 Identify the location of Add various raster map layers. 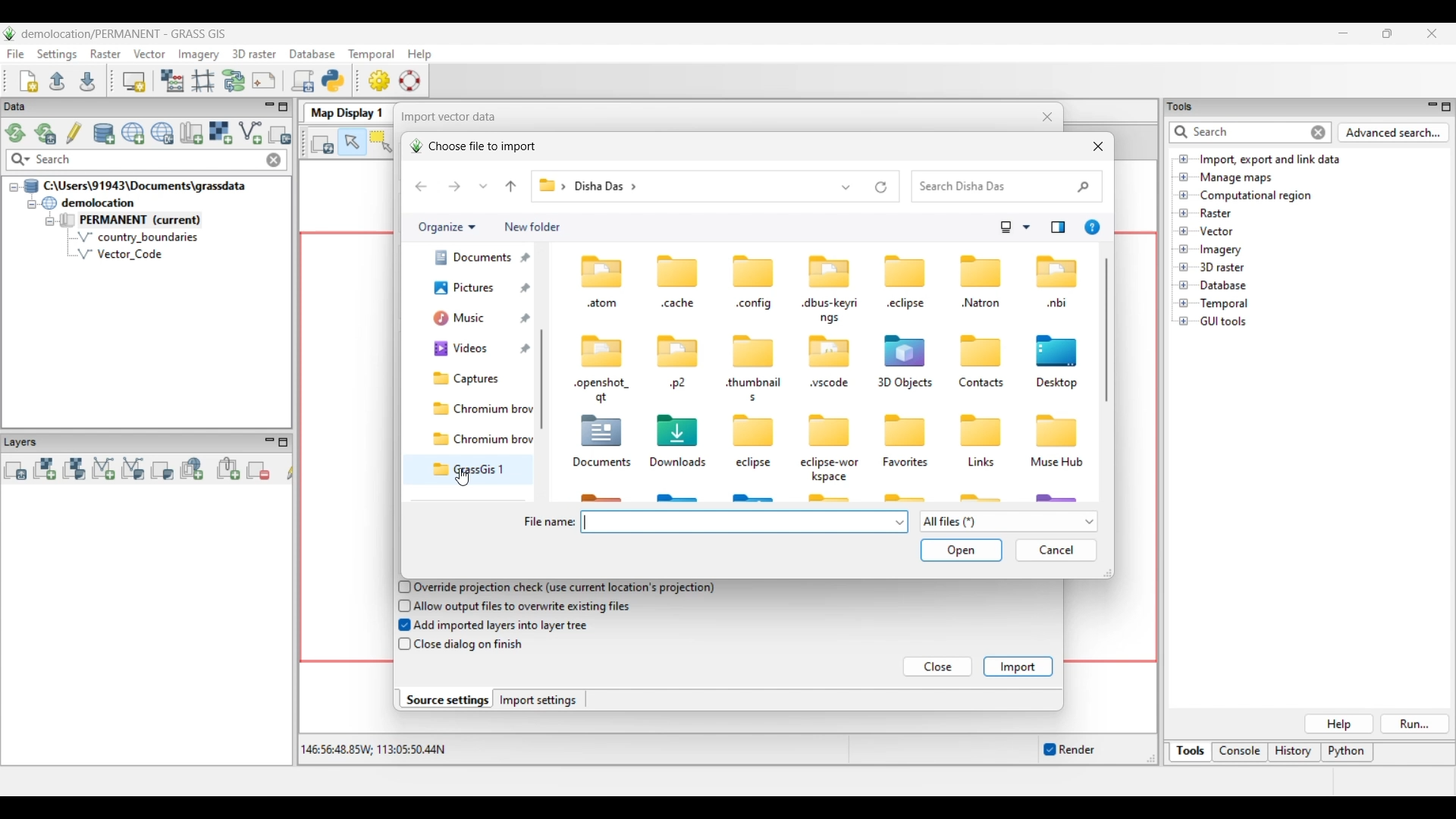
(74, 469).